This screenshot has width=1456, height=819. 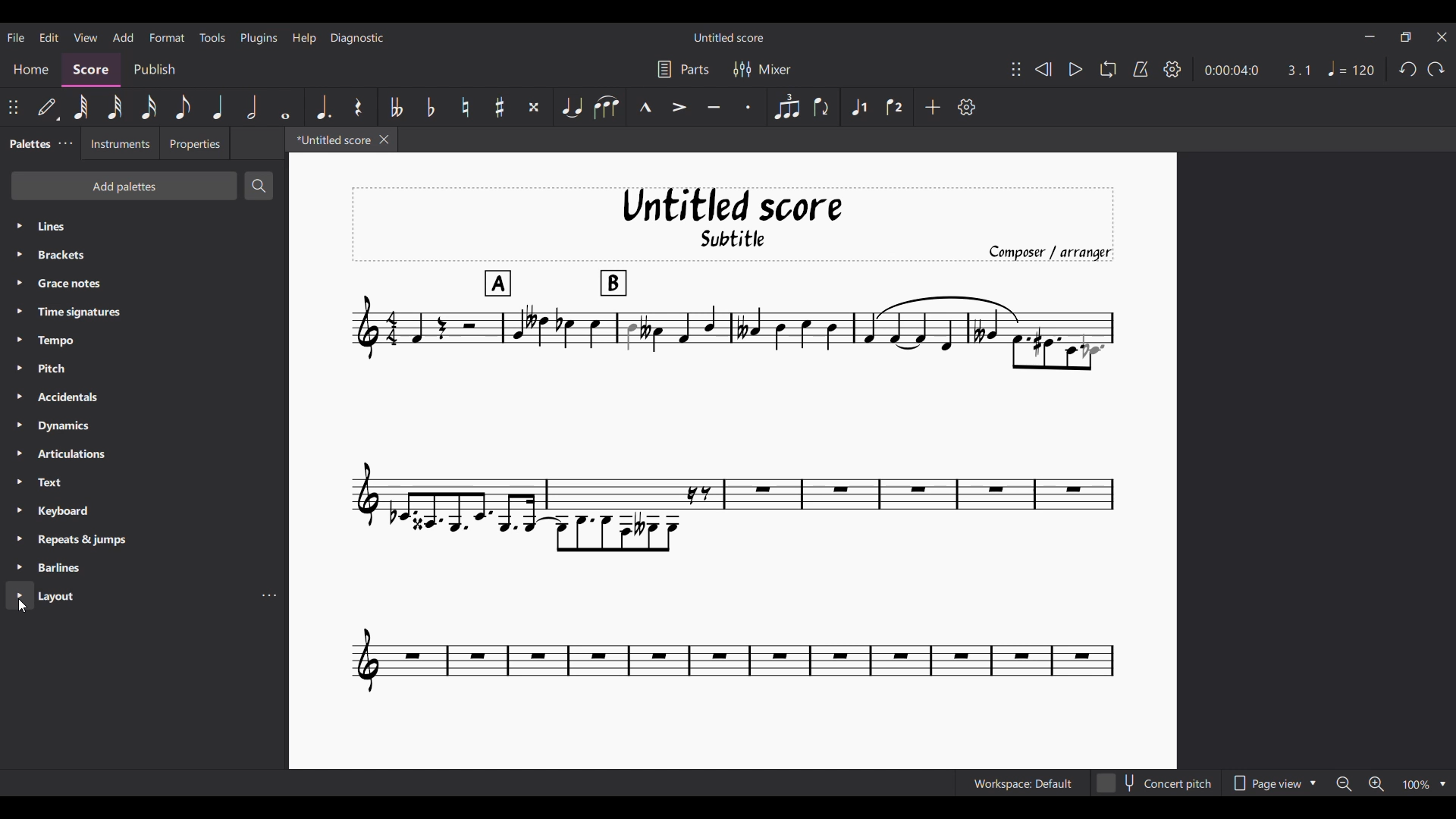 I want to click on Change position, so click(x=13, y=107).